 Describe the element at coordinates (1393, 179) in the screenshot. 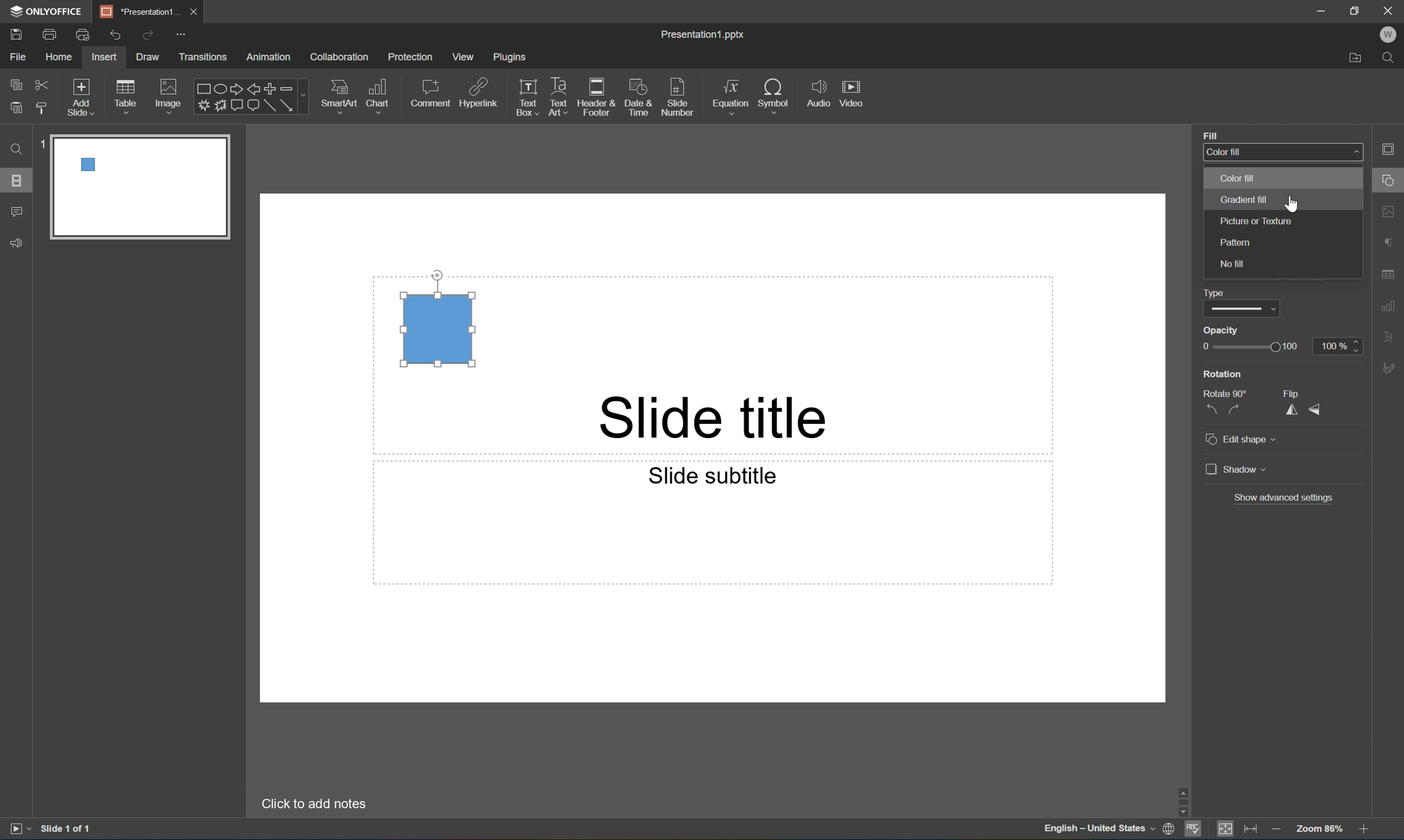

I see `Shape settings` at that location.